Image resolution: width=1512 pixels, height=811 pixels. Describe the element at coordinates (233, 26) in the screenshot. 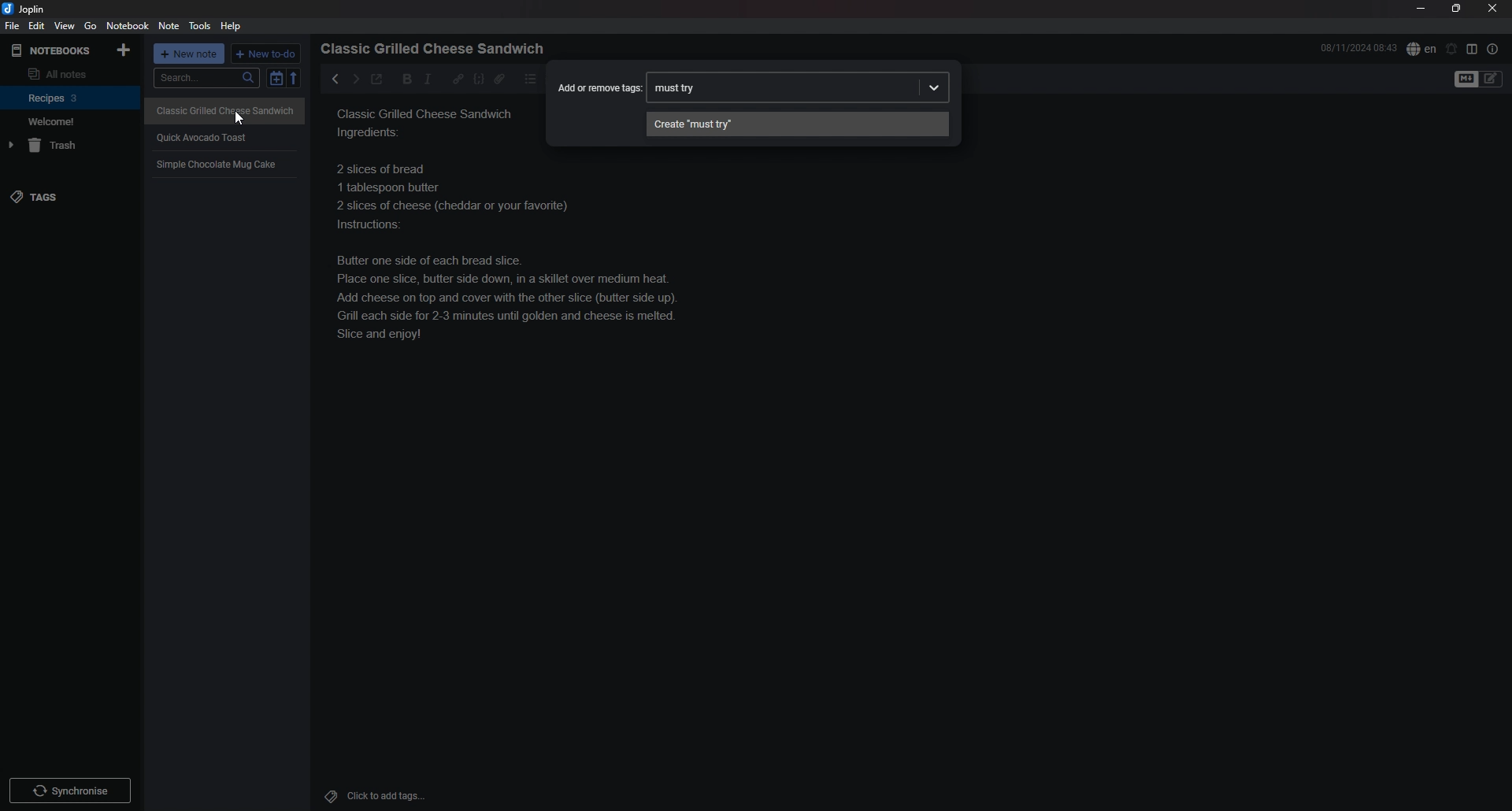

I see `help` at that location.